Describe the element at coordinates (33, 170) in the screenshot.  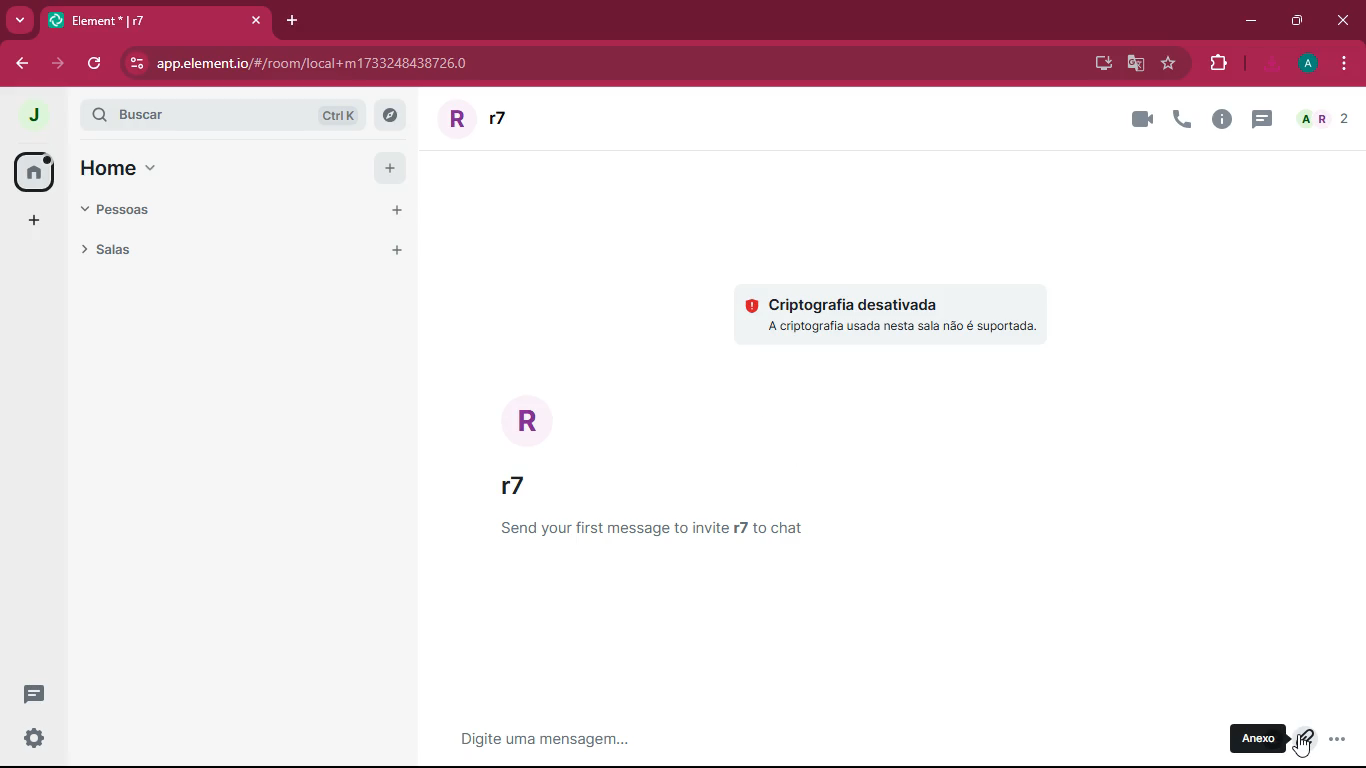
I see `home` at that location.